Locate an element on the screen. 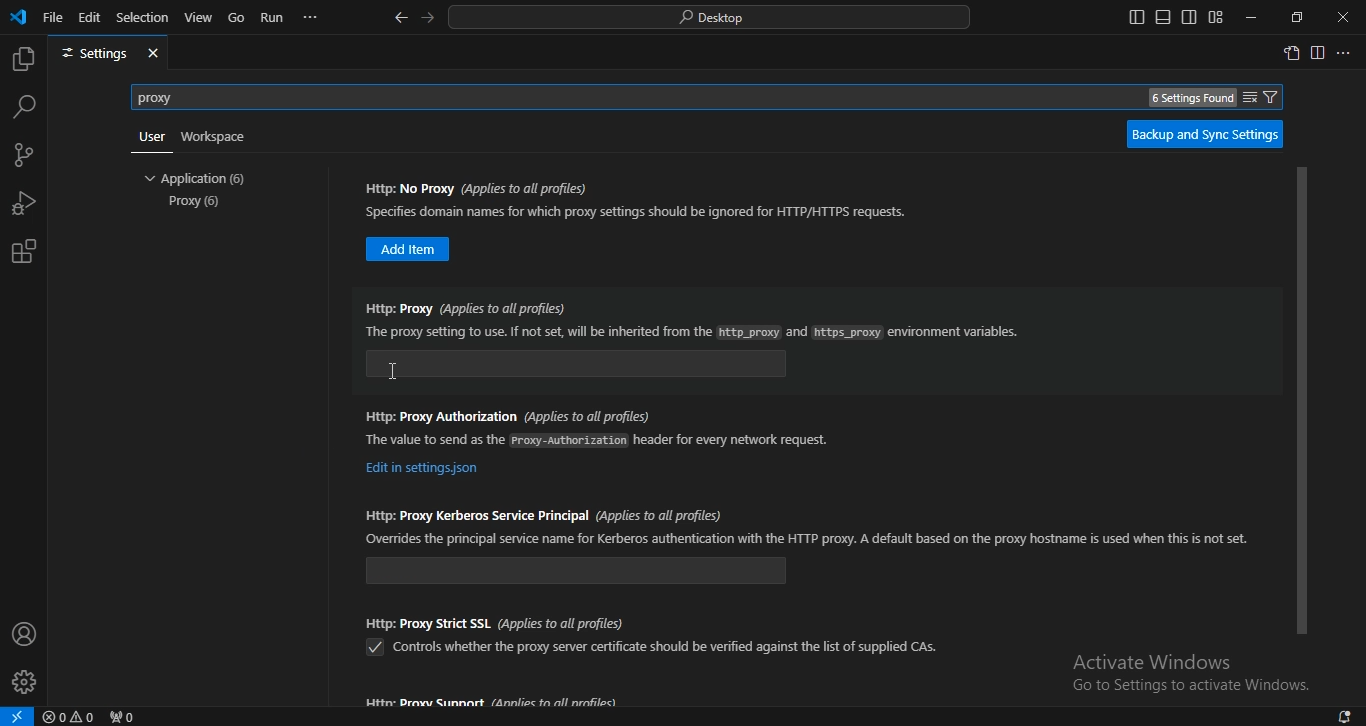 This screenshot has height=726, width=1366. https: proxy authorization is located at coordinates (423, 469).